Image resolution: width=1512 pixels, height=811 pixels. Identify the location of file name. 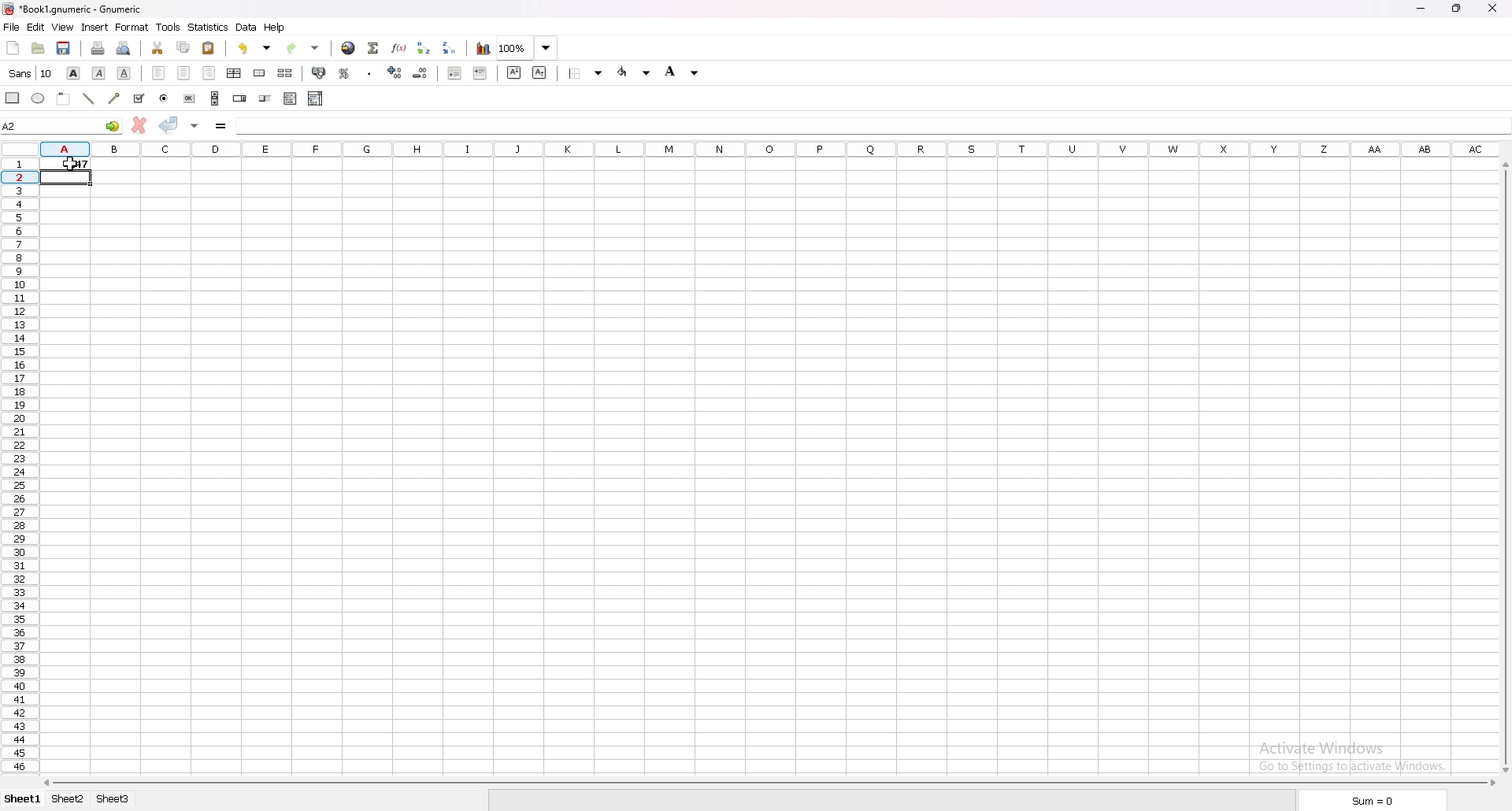
(72, 9).